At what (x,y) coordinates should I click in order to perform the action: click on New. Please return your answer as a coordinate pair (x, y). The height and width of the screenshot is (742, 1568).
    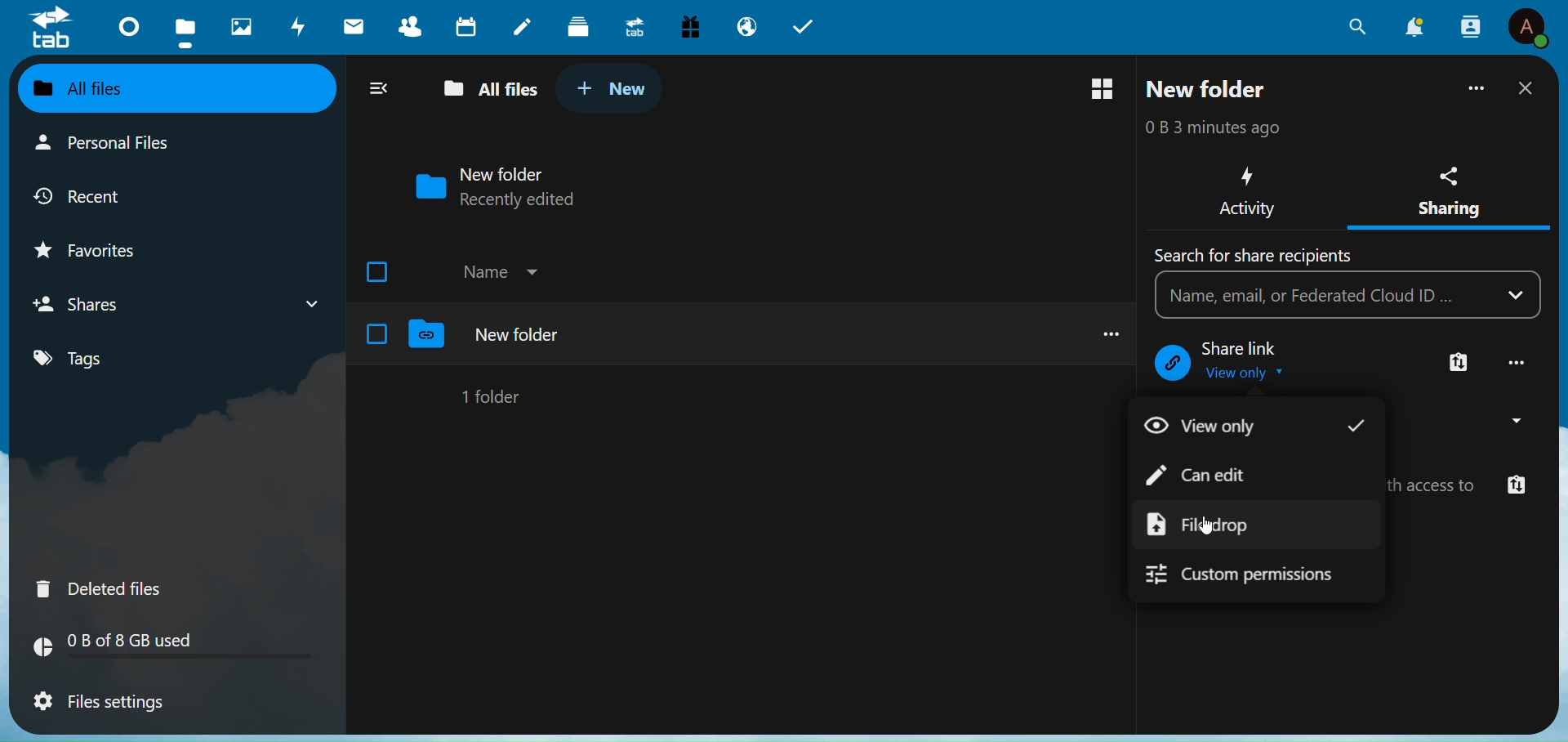
    Looking at the image, I should click on (612, 87).